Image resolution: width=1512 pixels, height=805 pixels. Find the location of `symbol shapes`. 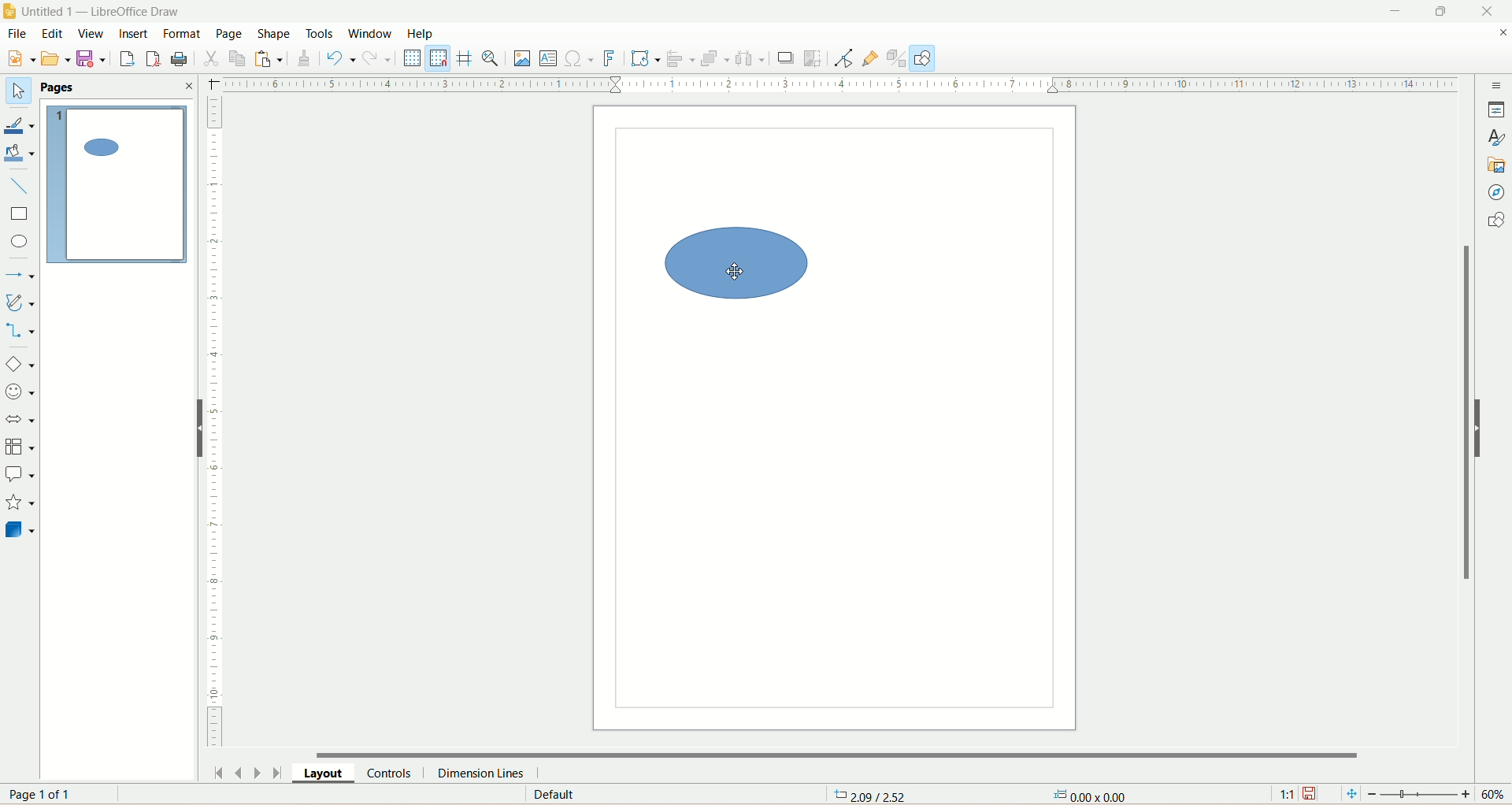

symbol shapes is located at coordinates (19, 393).